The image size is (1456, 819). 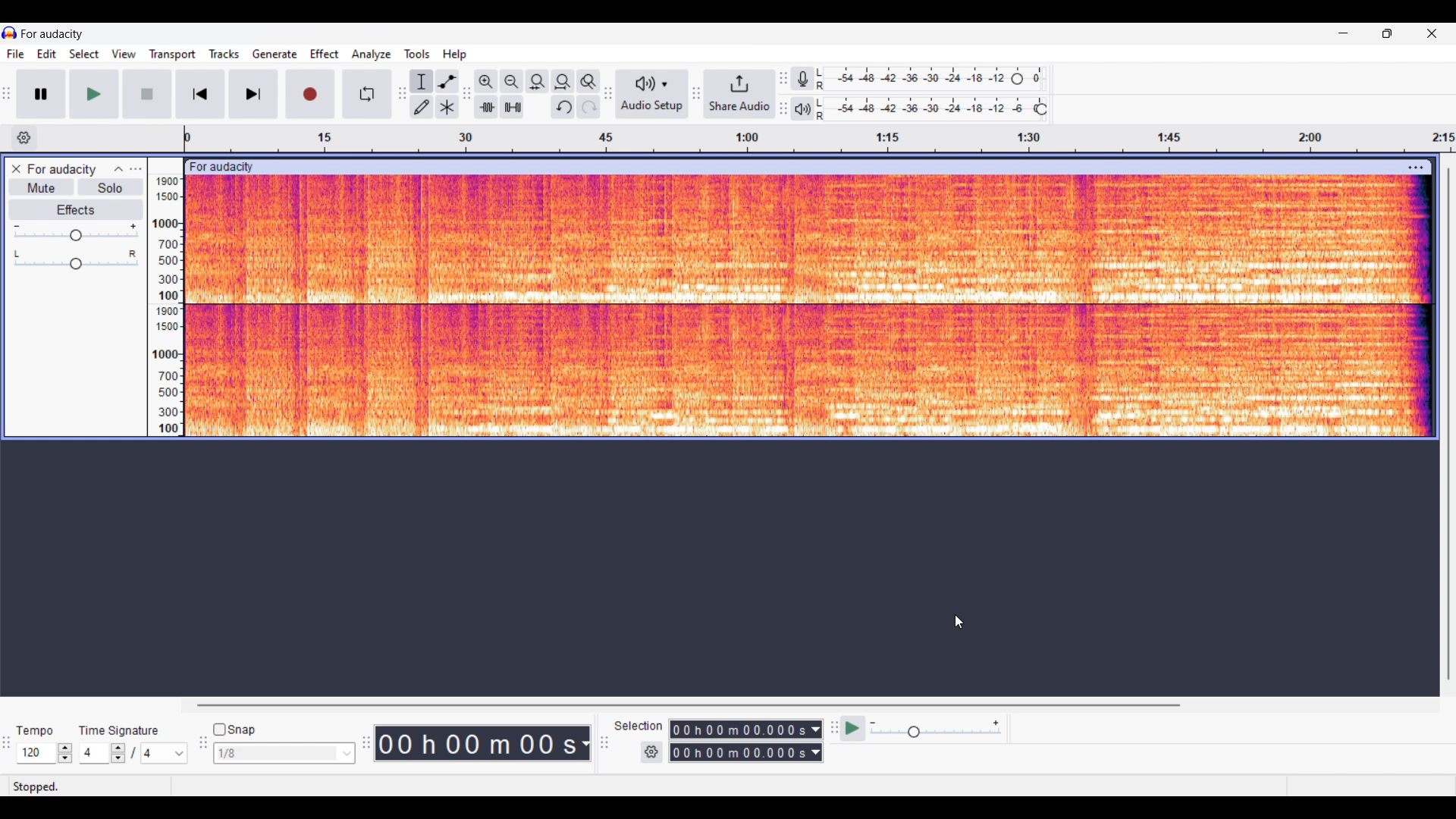 What do you see at coordinates (16, 168) in the screenshot?
I see `Close track` at bounding box center [16, 168].